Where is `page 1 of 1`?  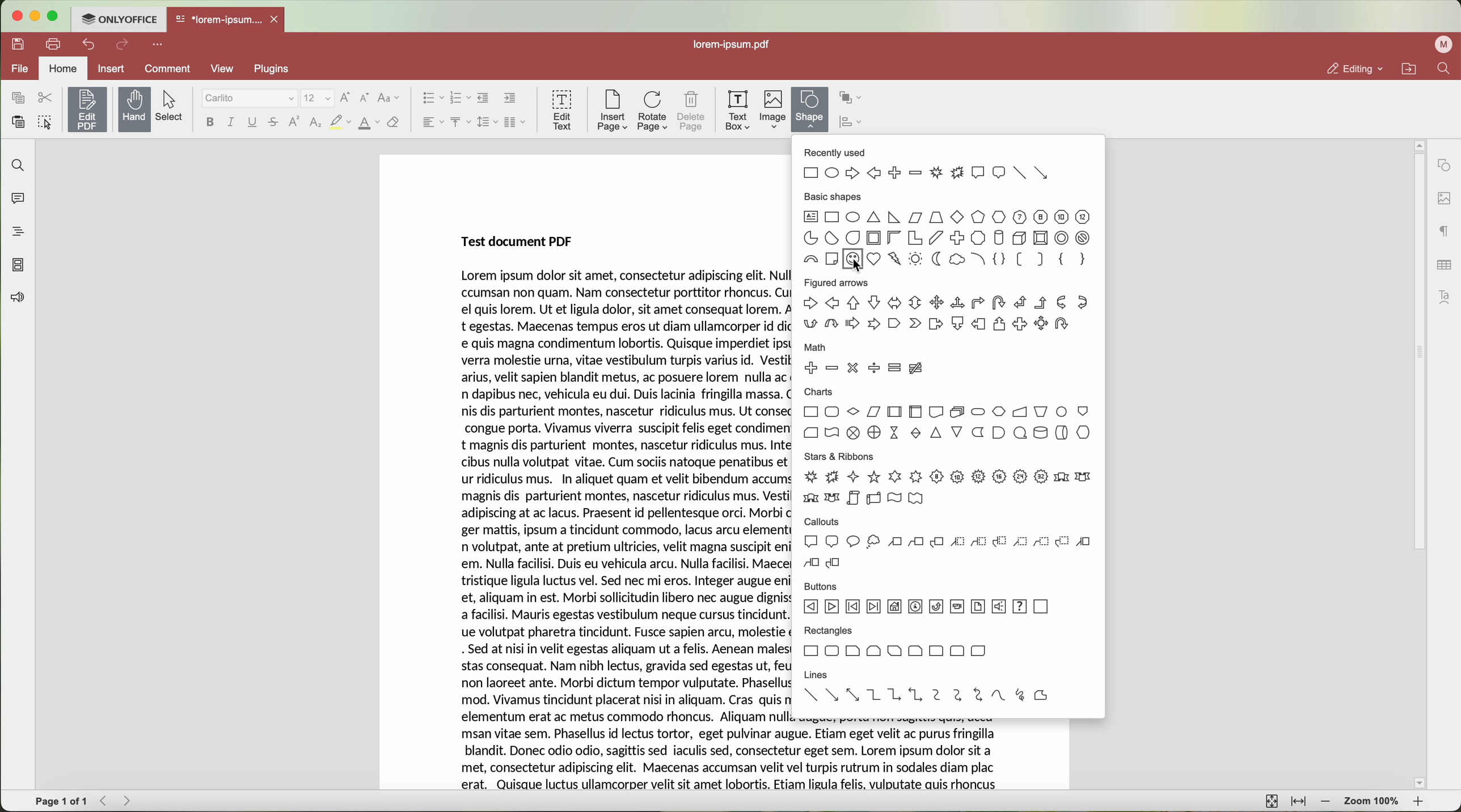 page 1 of 1 is located at coordinates (62, 802).